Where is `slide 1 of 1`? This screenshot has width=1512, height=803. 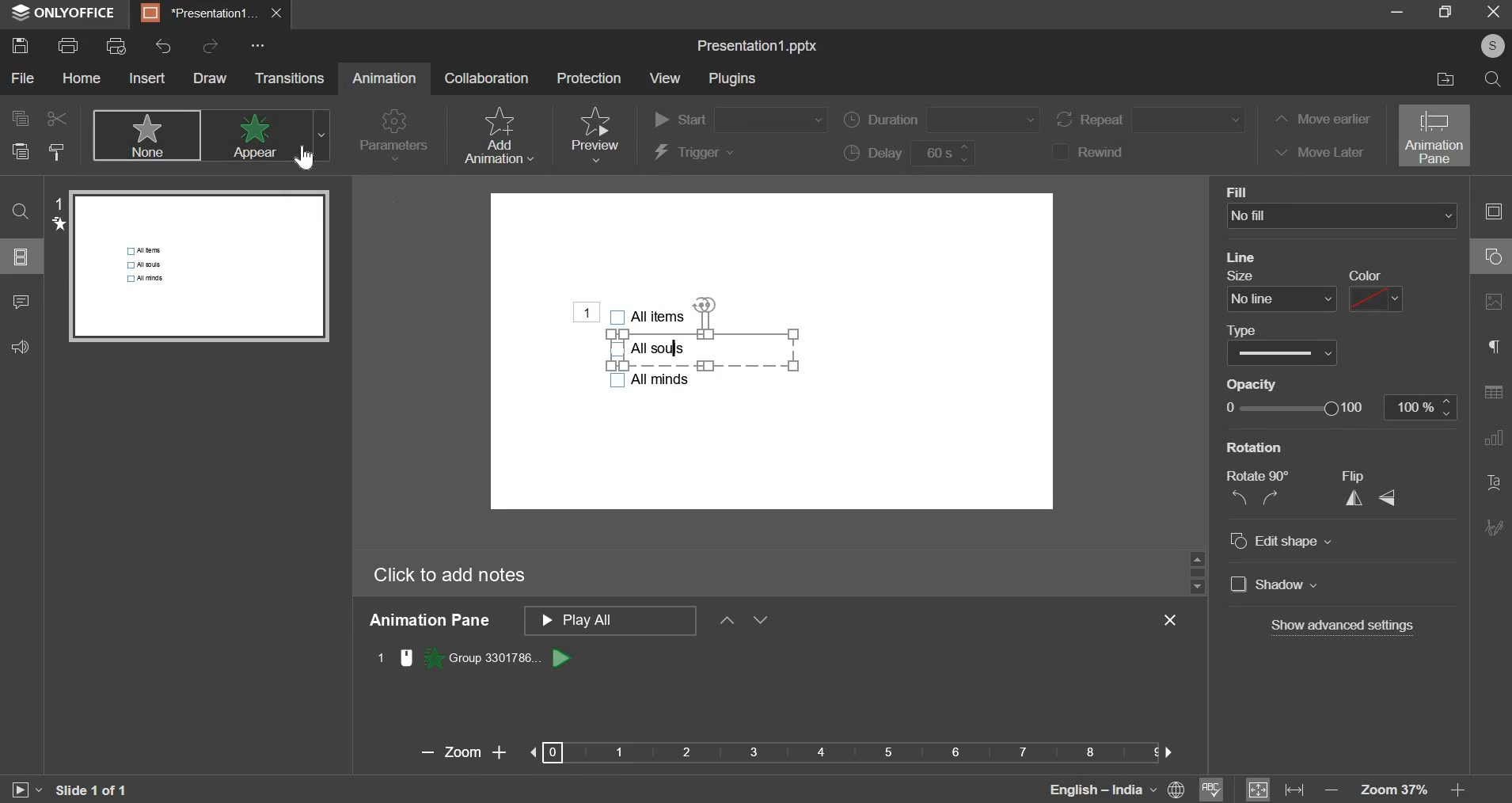 slide 1 of 1 is located at coordinates (90, 790).